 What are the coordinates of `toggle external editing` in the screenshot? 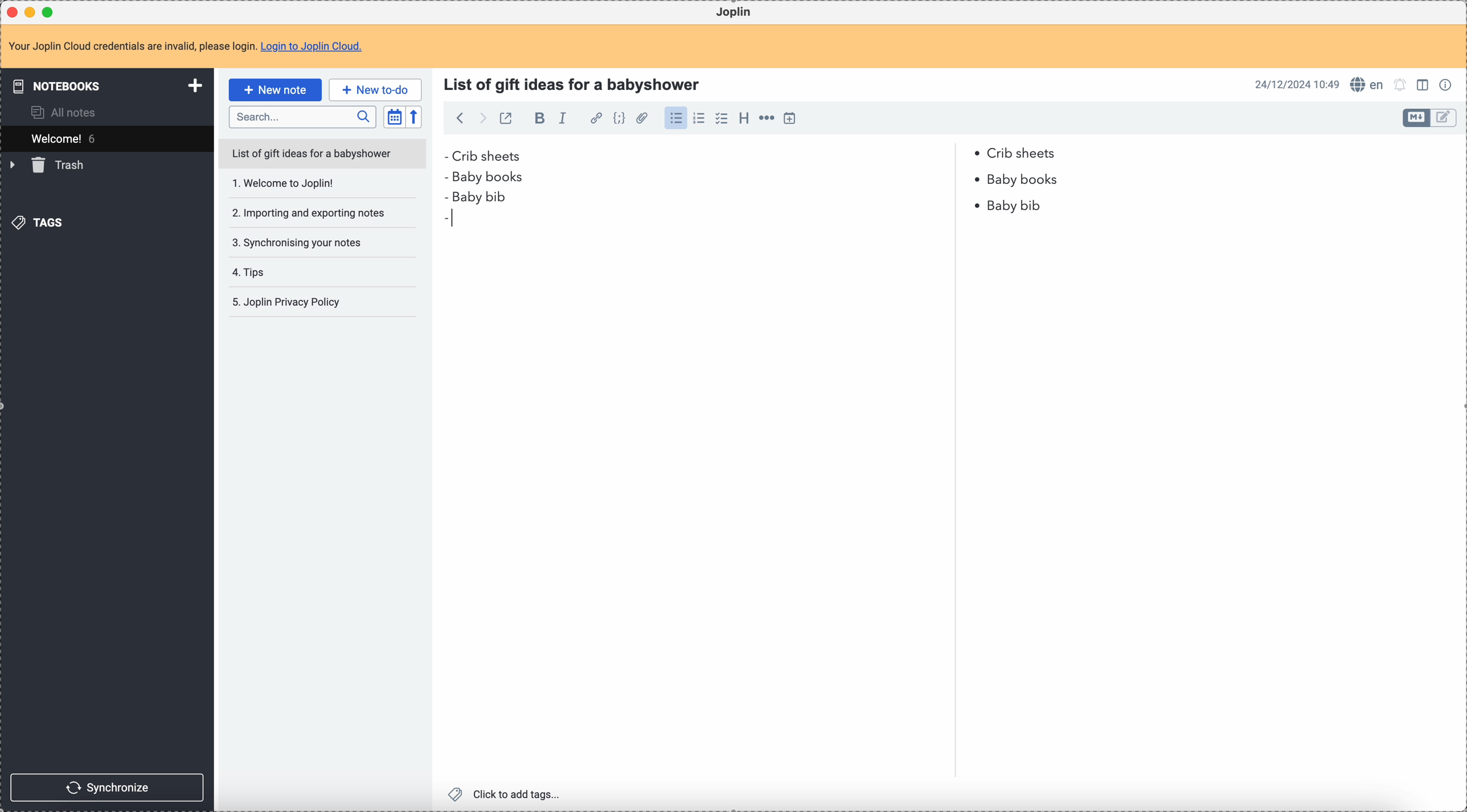 It's located at (505, 118).